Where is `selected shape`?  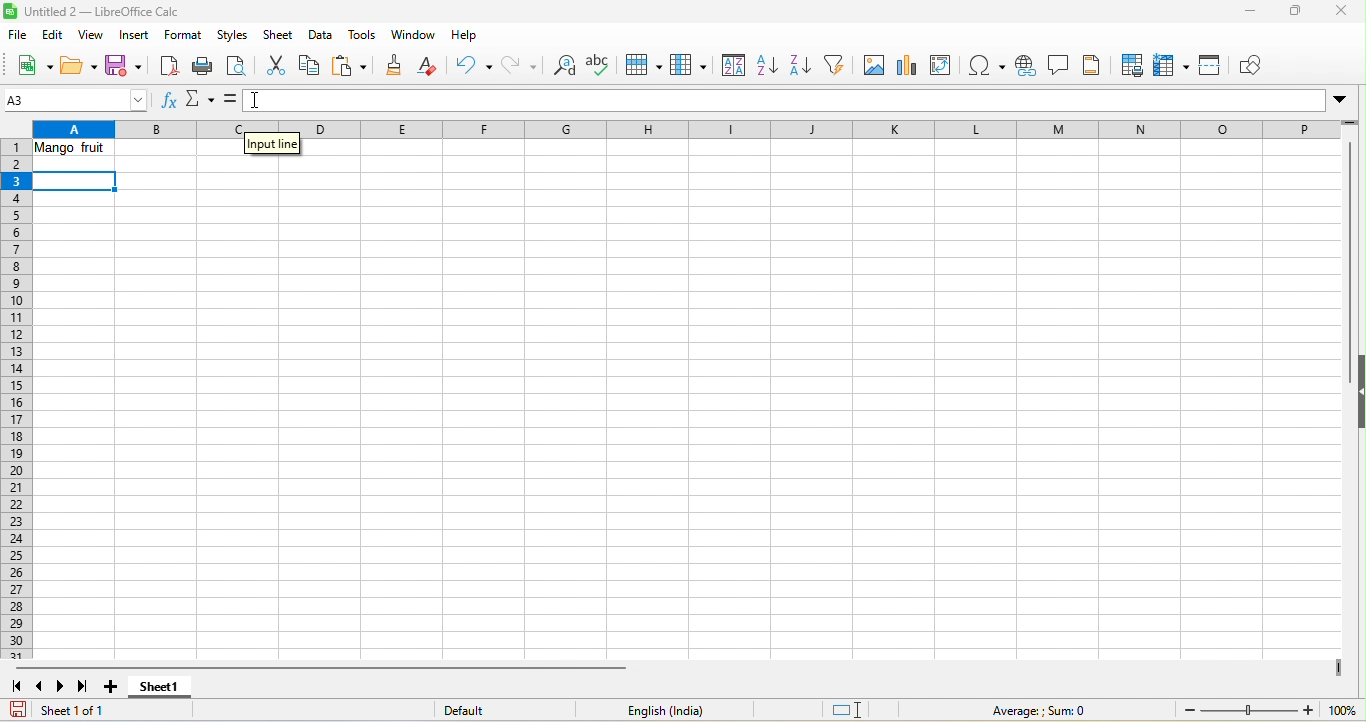 selected shape is located at coordinates (75, 183).